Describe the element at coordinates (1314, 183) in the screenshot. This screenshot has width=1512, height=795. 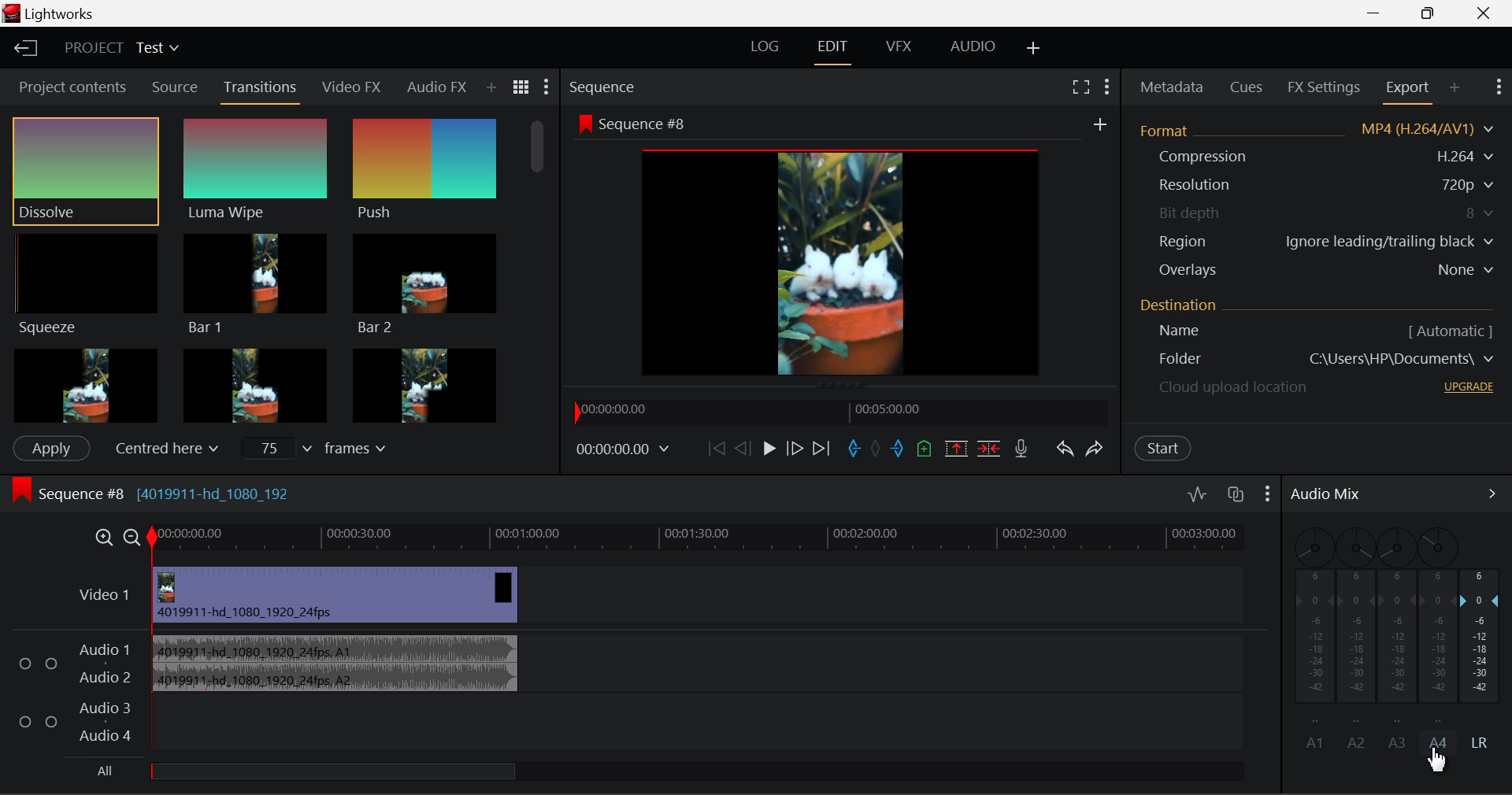
I see `Resolution` at that location.